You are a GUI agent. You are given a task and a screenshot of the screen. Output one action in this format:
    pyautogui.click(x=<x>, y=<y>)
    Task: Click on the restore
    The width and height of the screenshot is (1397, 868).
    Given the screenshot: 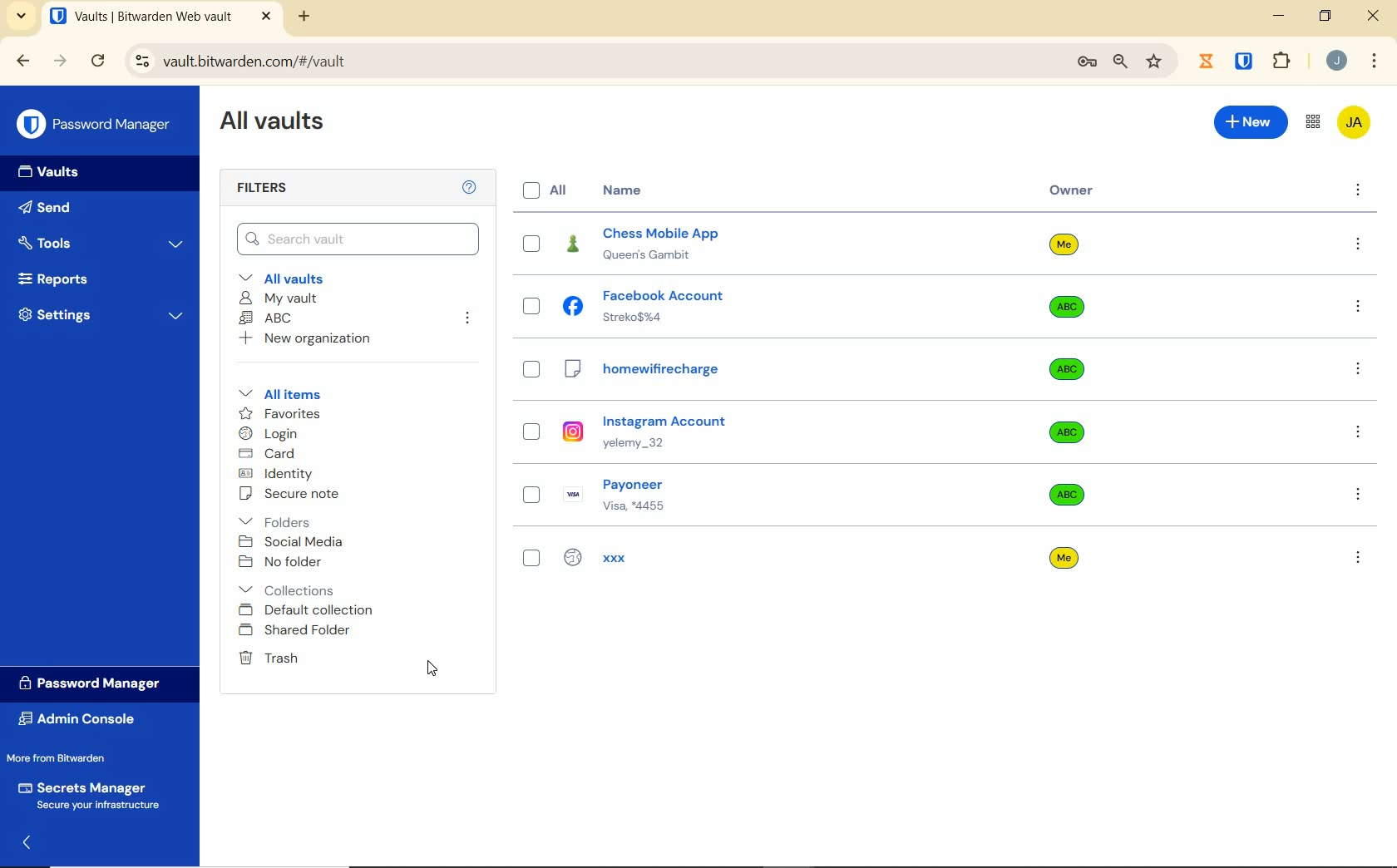 What is the action you would take?
    pyautogui.click(x=1325, y=16)
    